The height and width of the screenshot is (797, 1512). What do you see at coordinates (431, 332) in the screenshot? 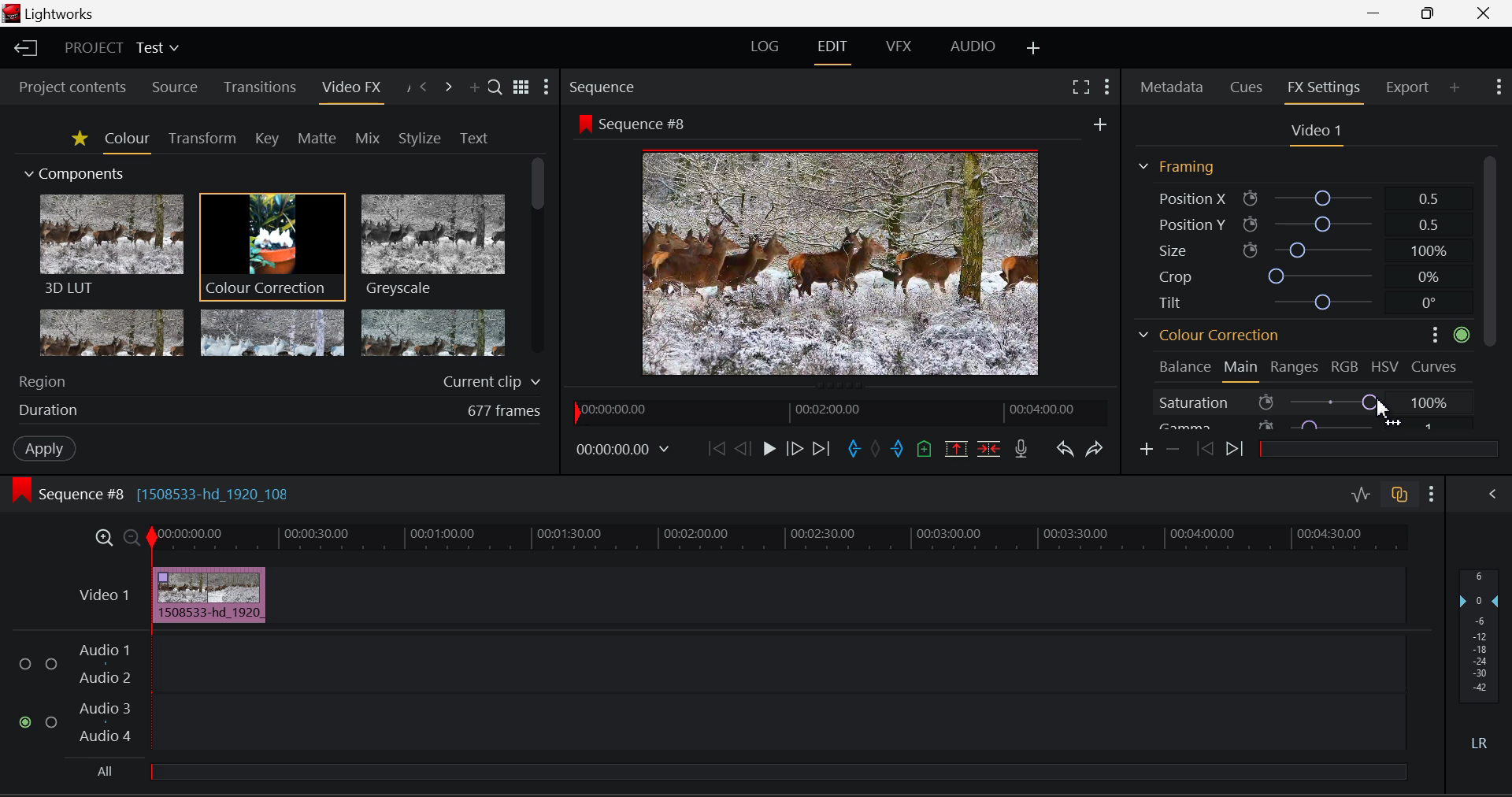
I see `Posterize` at bounding box center [431, 332].